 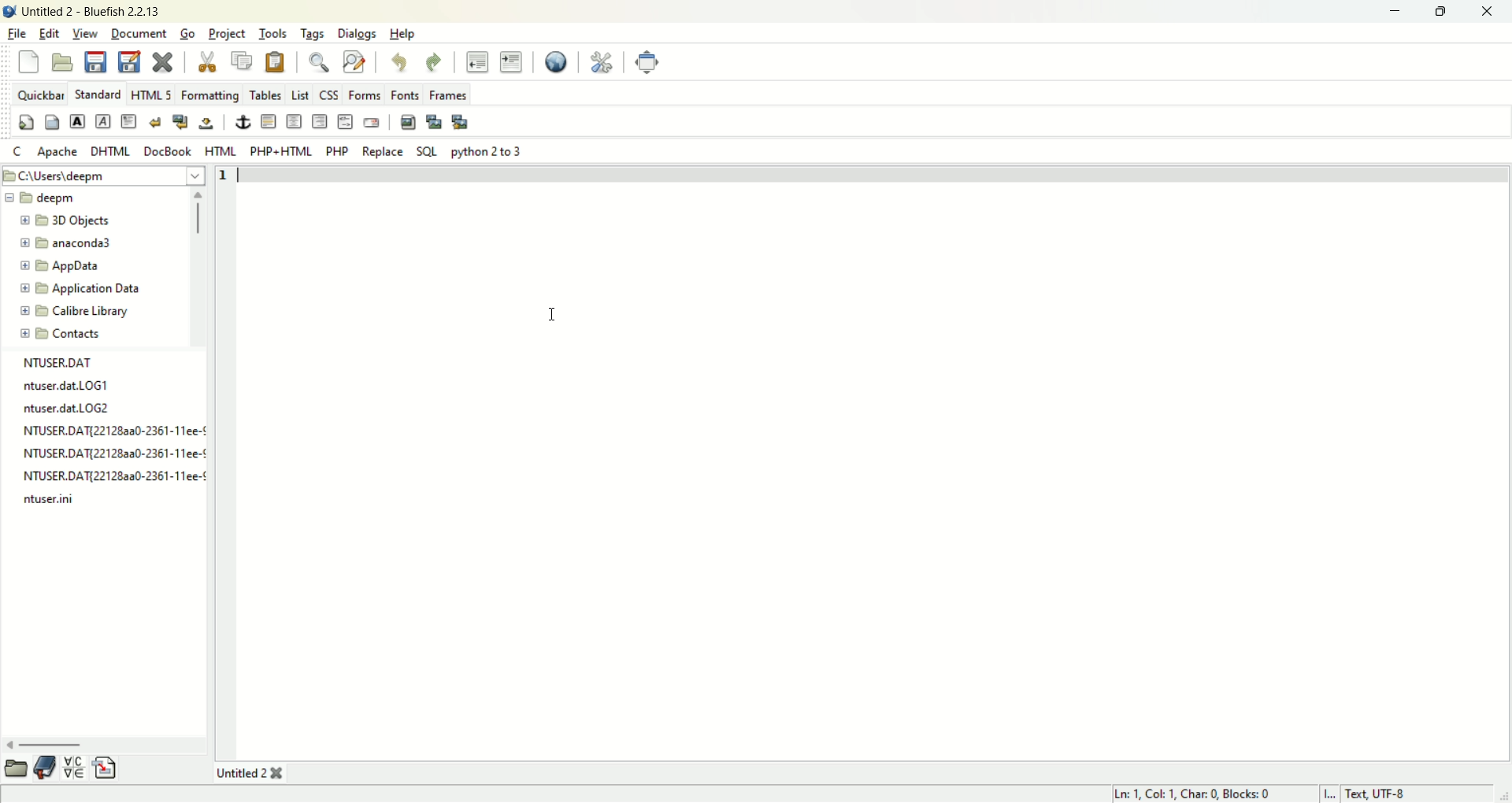 I want to click on untitled2-Bluefish 2.2.13, so click(x=91, y=9).